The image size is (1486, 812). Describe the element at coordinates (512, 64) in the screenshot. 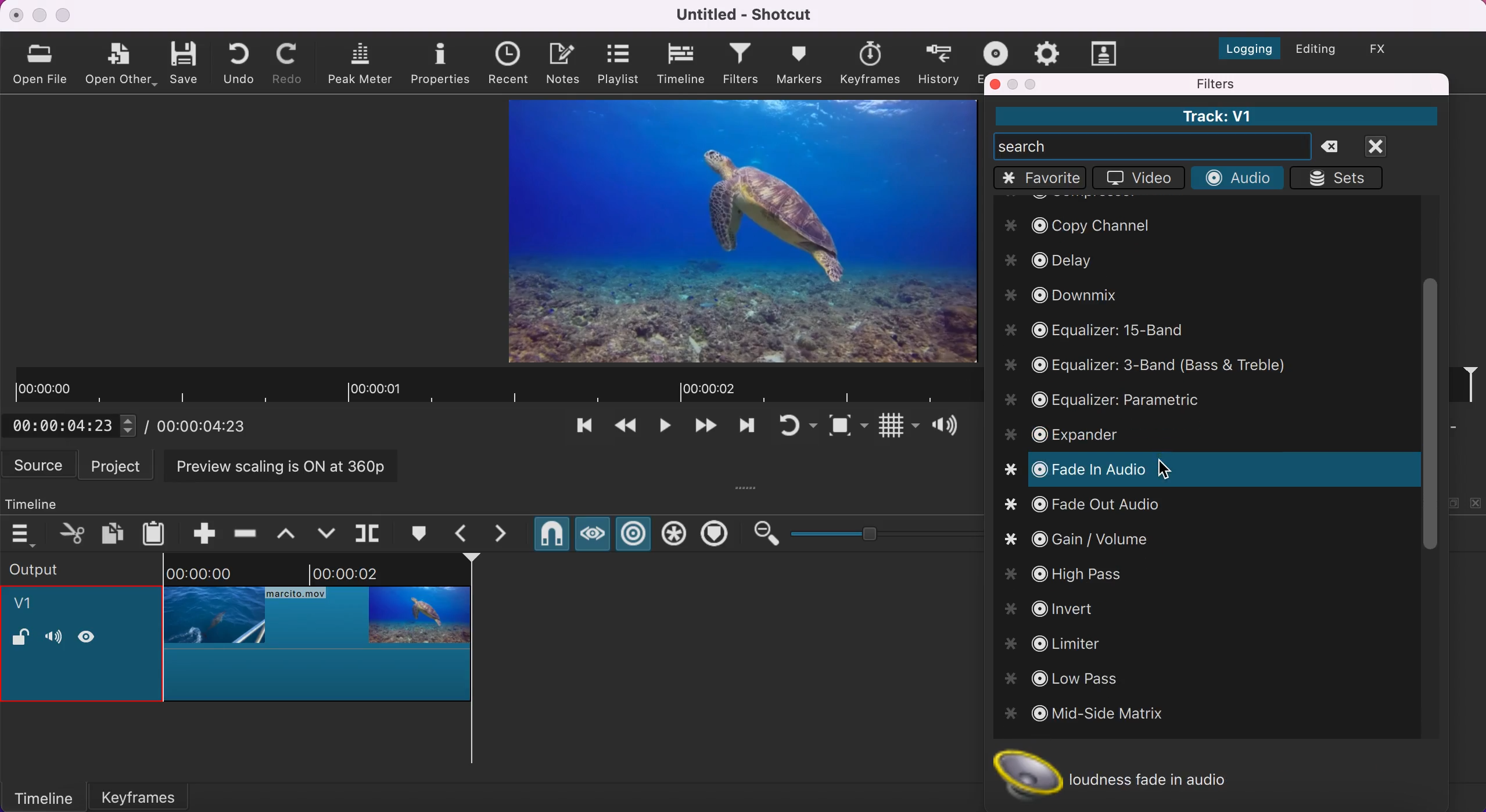

I see `recent` at that location.